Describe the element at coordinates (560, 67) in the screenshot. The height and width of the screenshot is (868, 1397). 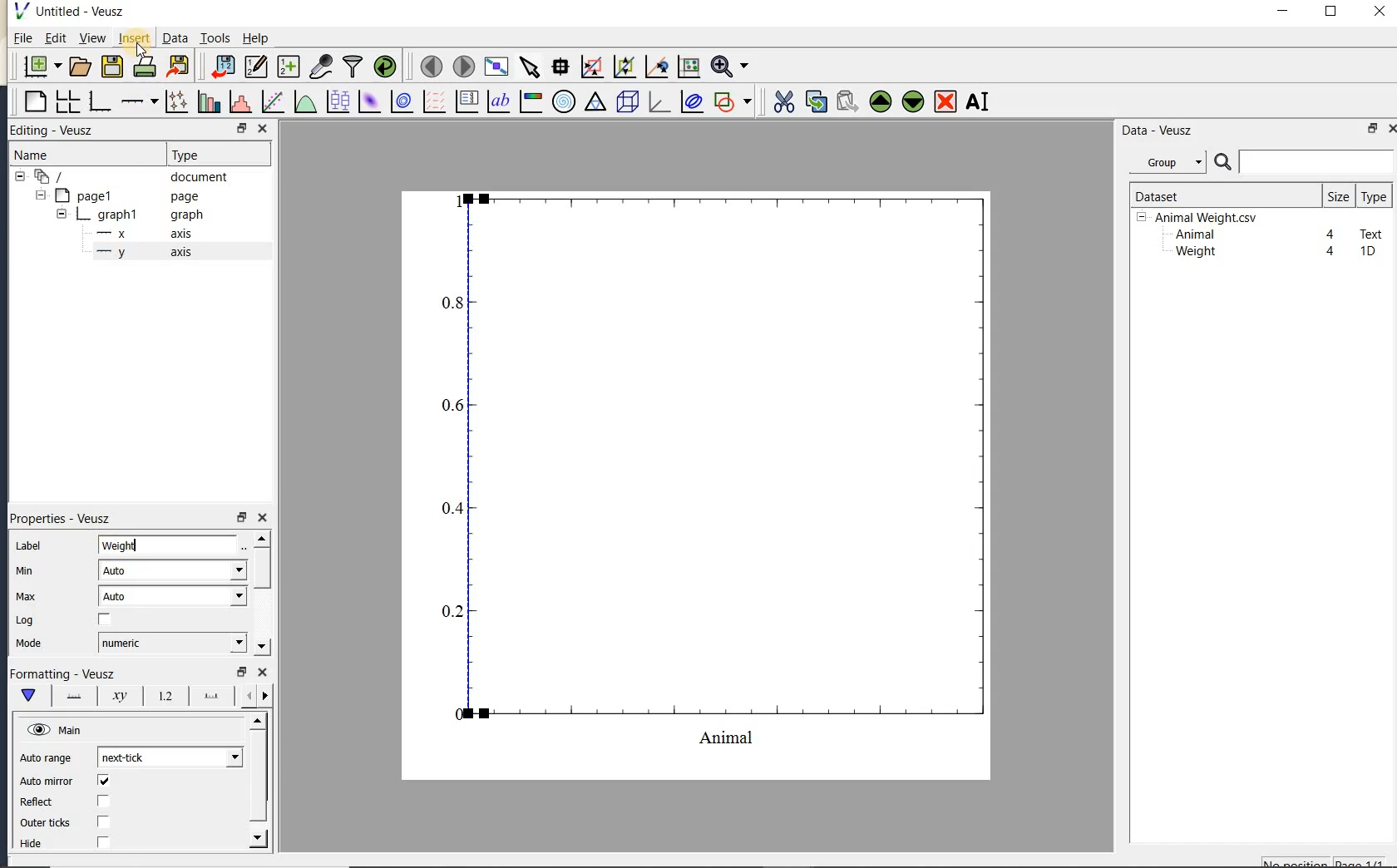
I see `read data points on the graph` at that location.